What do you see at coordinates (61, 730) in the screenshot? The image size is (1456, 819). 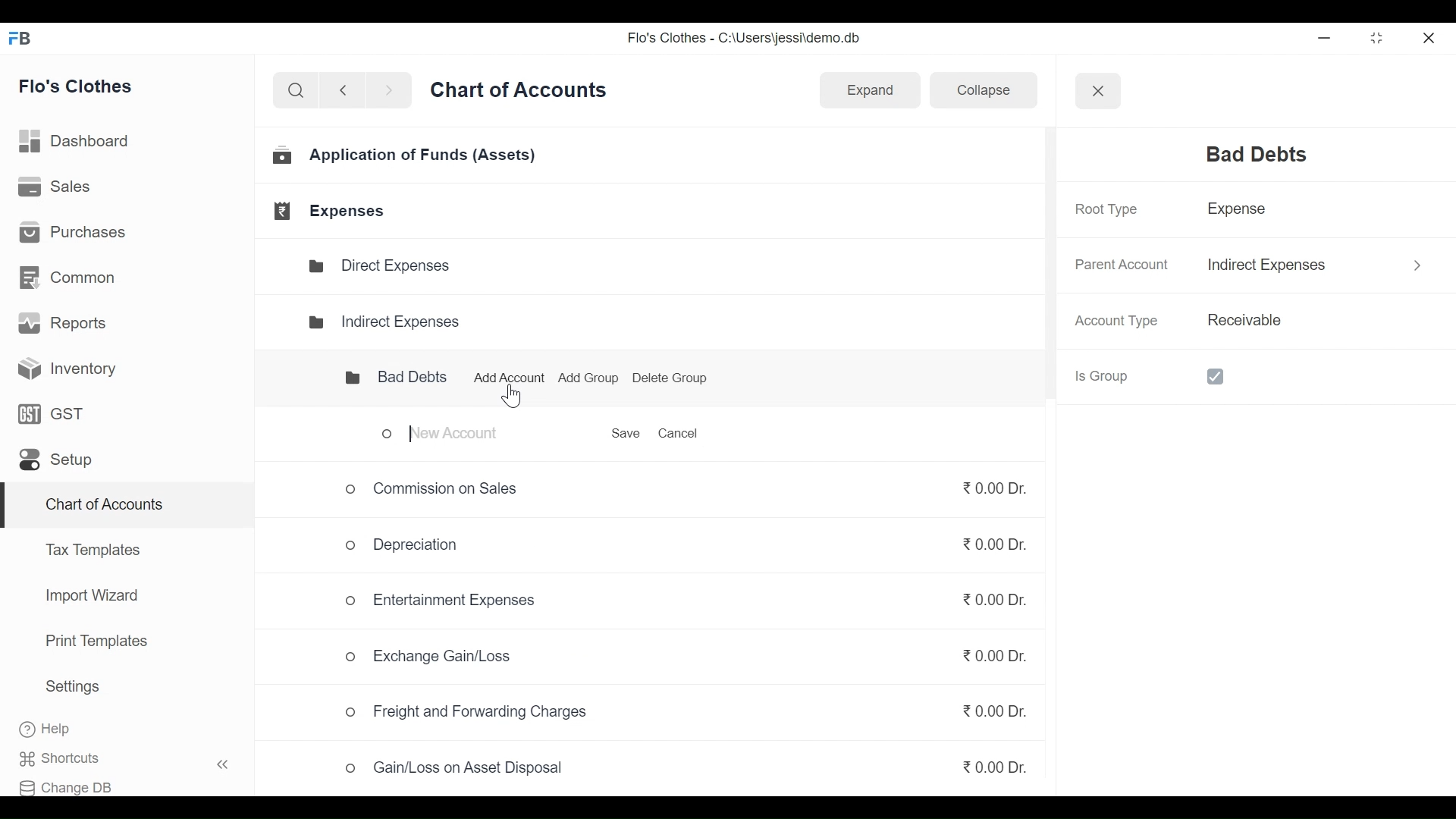 I see `Help` at bounding box center [61, 730].